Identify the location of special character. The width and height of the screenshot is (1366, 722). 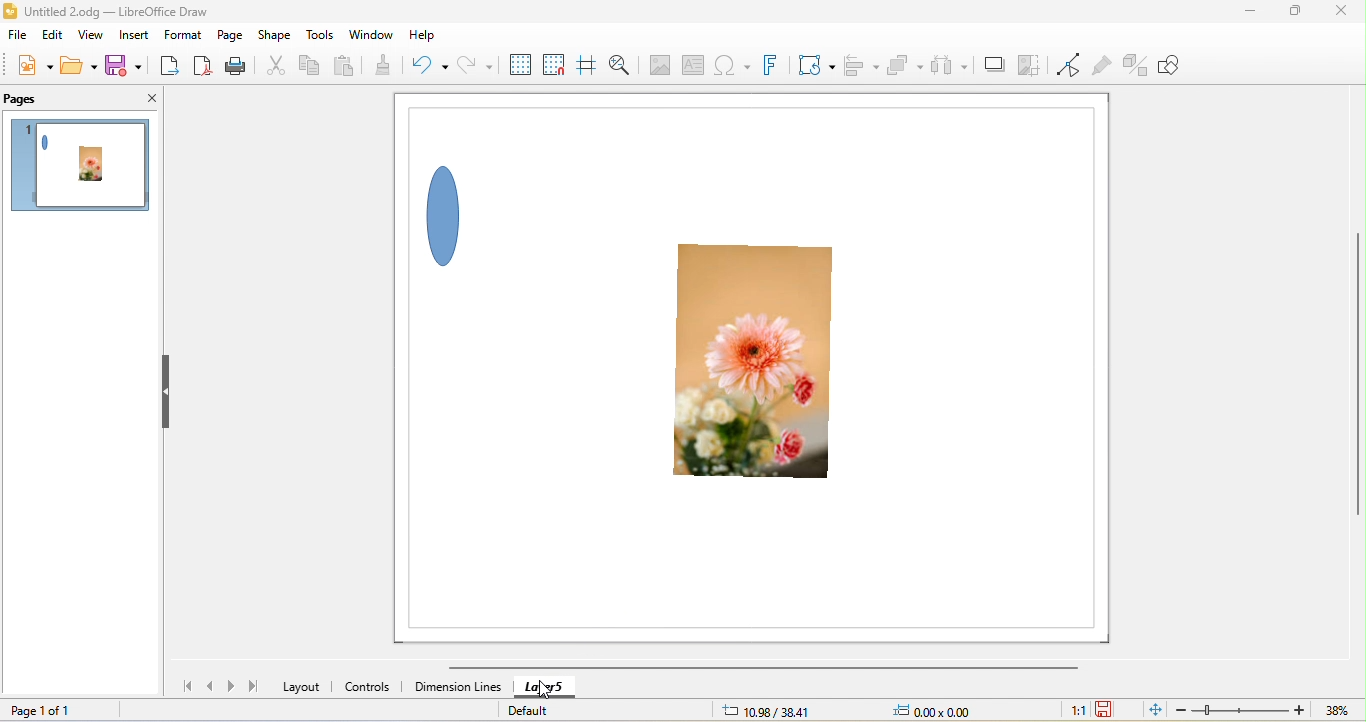
(730, 67).